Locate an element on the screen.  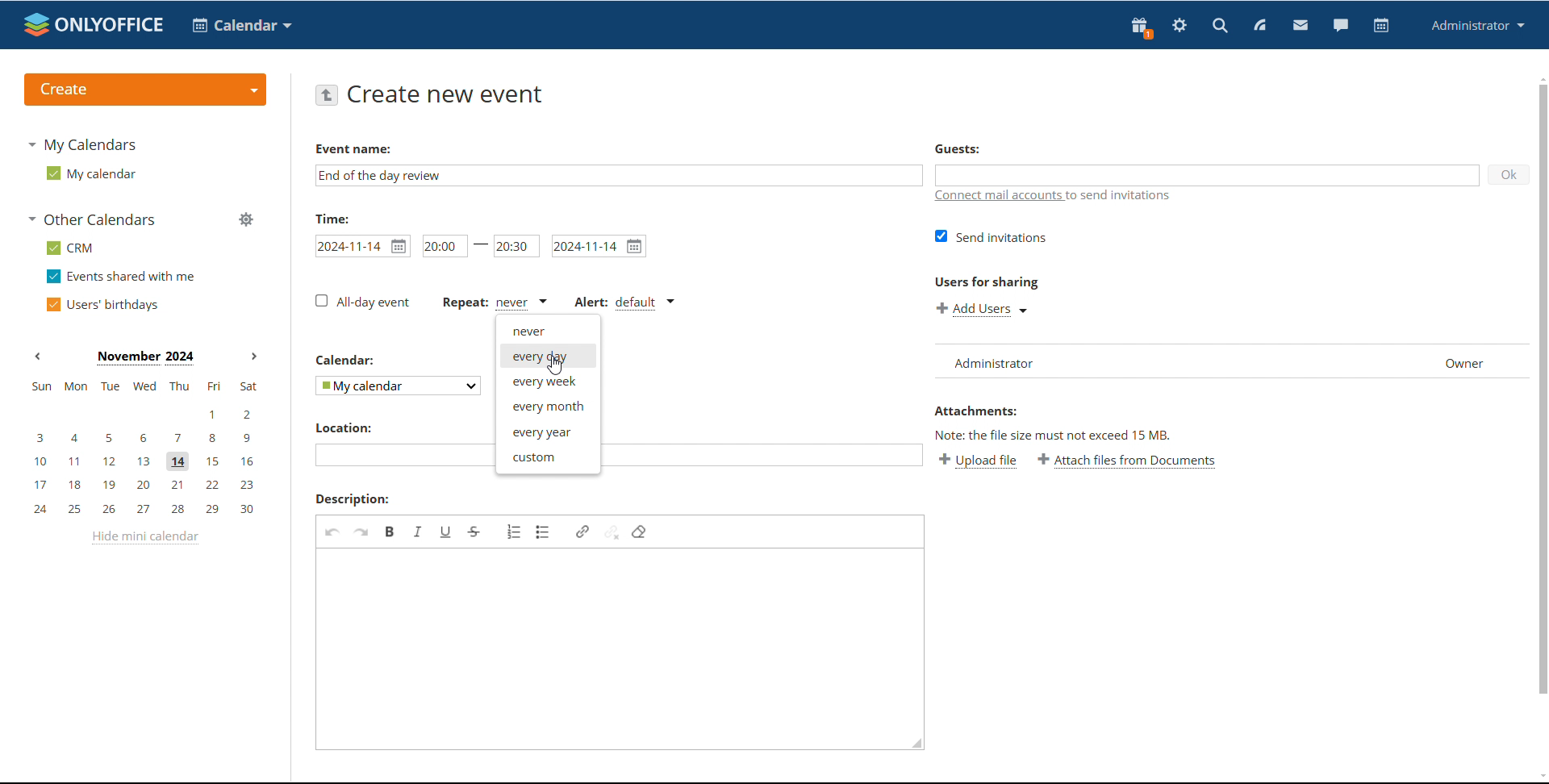
event repetition is located at coordinates (493, 302).